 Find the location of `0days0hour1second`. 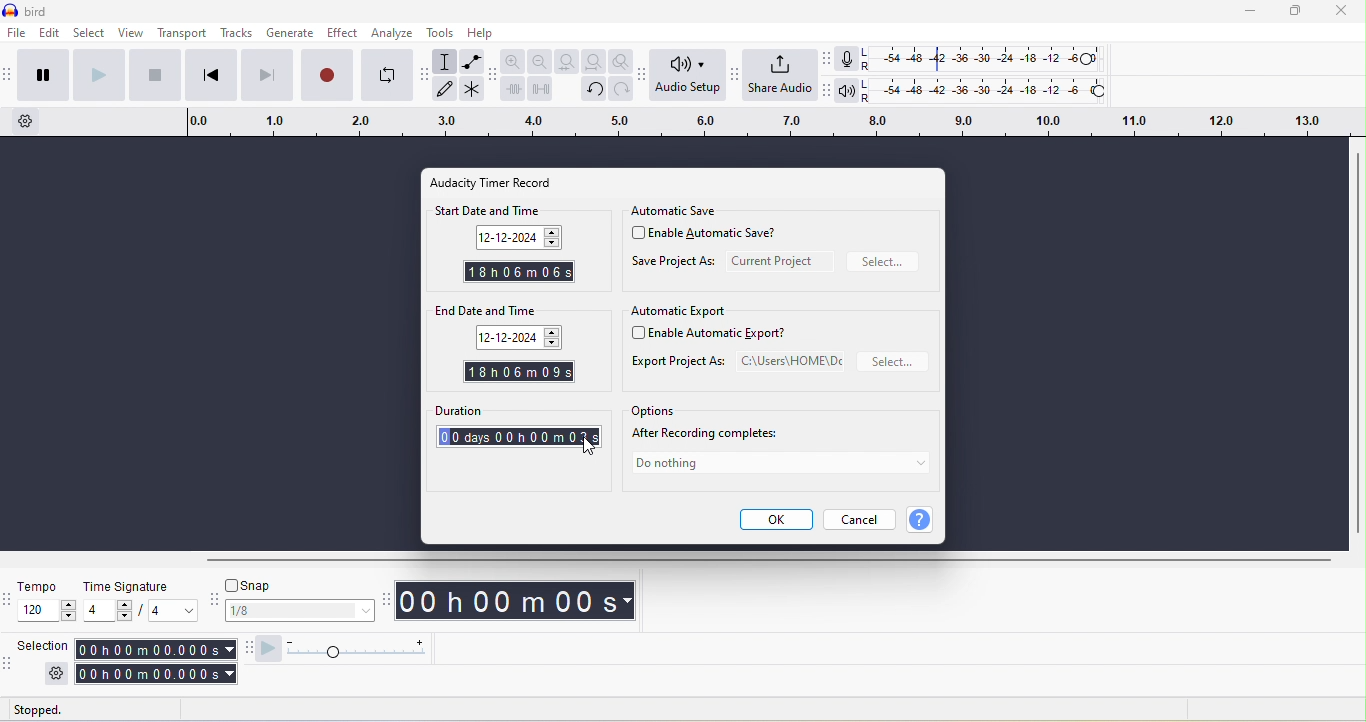

0days0hour1second is located at coordinates (515, 438).